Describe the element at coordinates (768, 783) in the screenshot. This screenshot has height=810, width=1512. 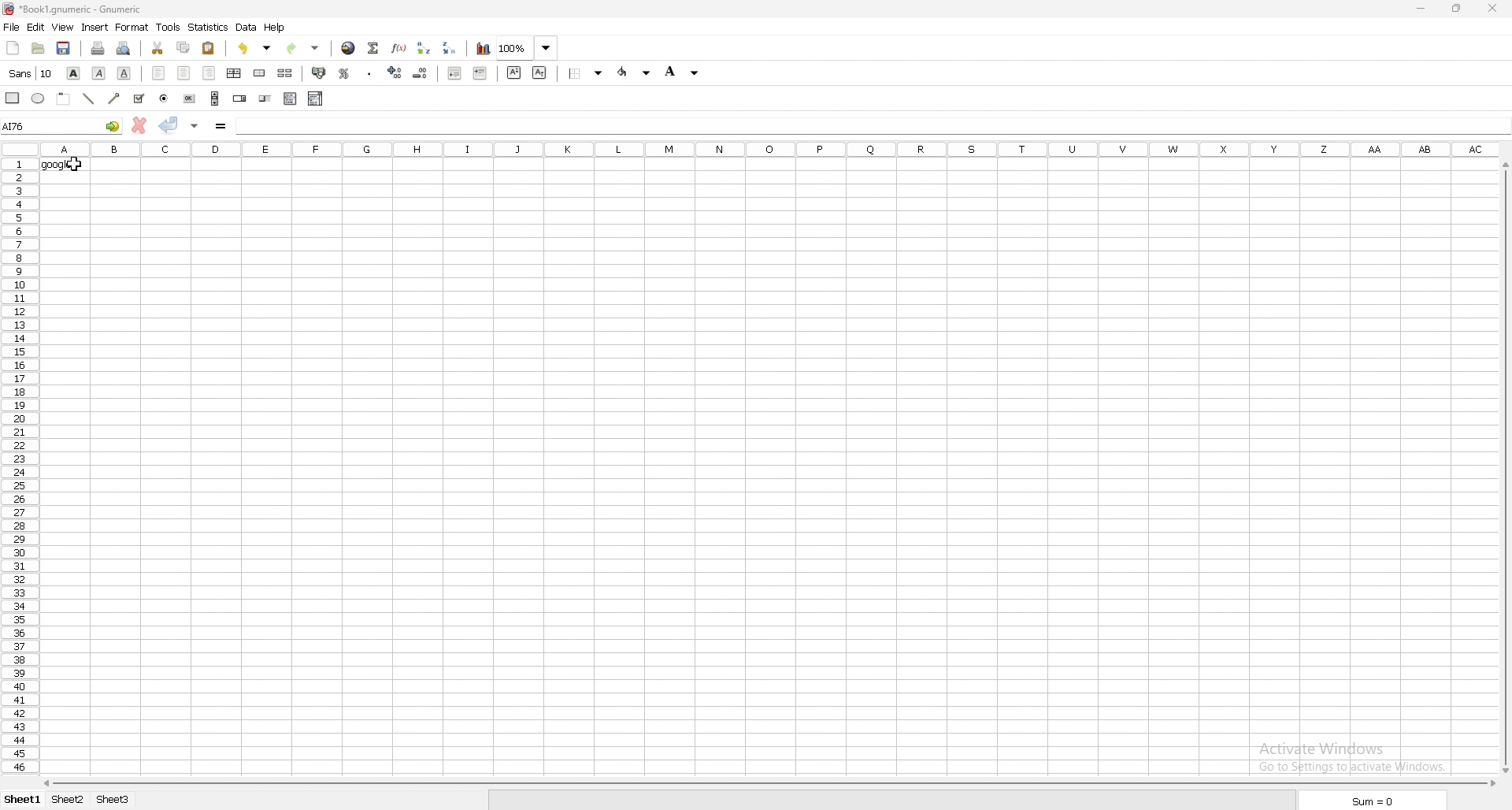
I see `scroll bar` at that location.